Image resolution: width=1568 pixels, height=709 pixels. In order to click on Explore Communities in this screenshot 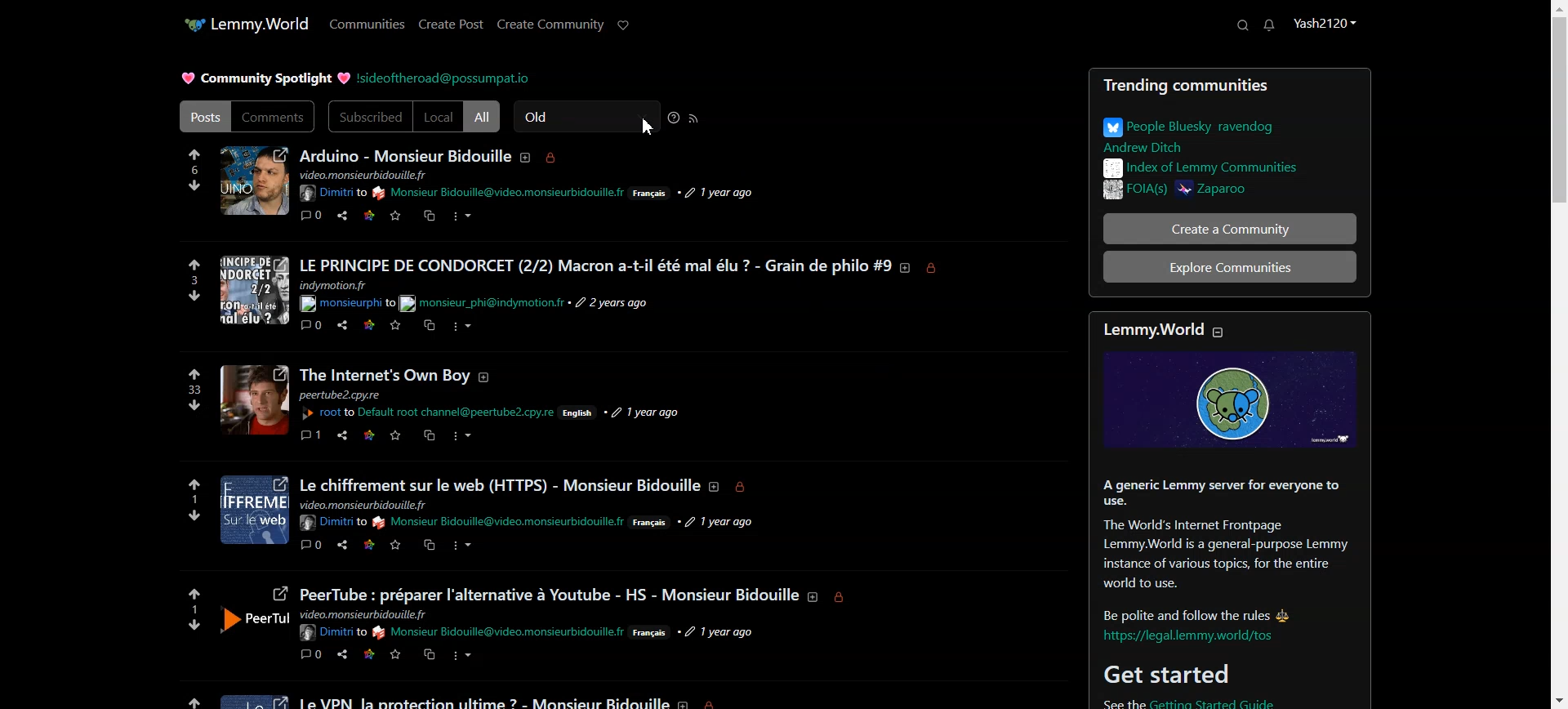, I will do `click(1230, 266)`.